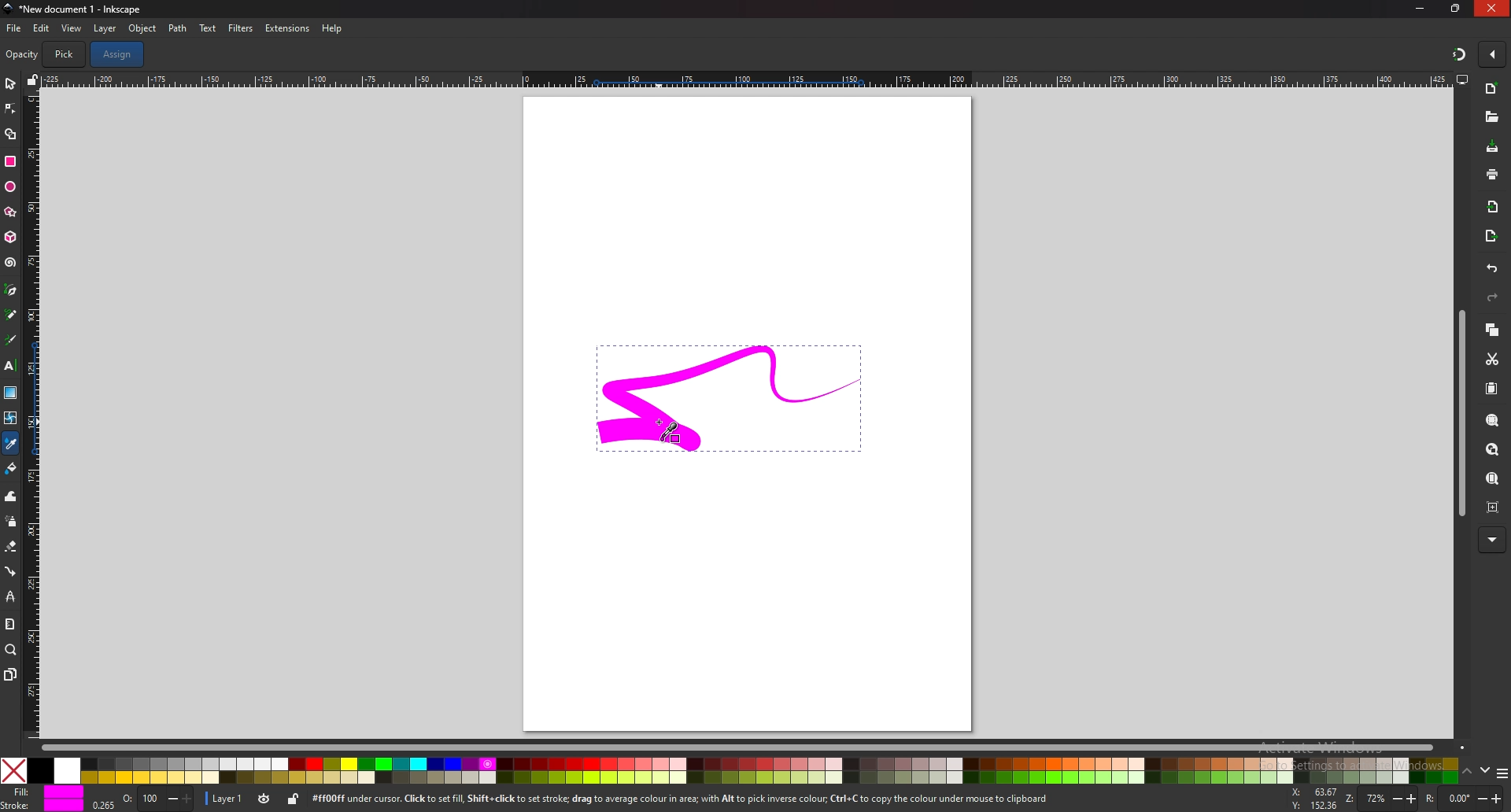 This screenshot has width=1511, height=812. Describe the element at coordinates (156, 798) in the screenshot. I see `opacity` at that location.